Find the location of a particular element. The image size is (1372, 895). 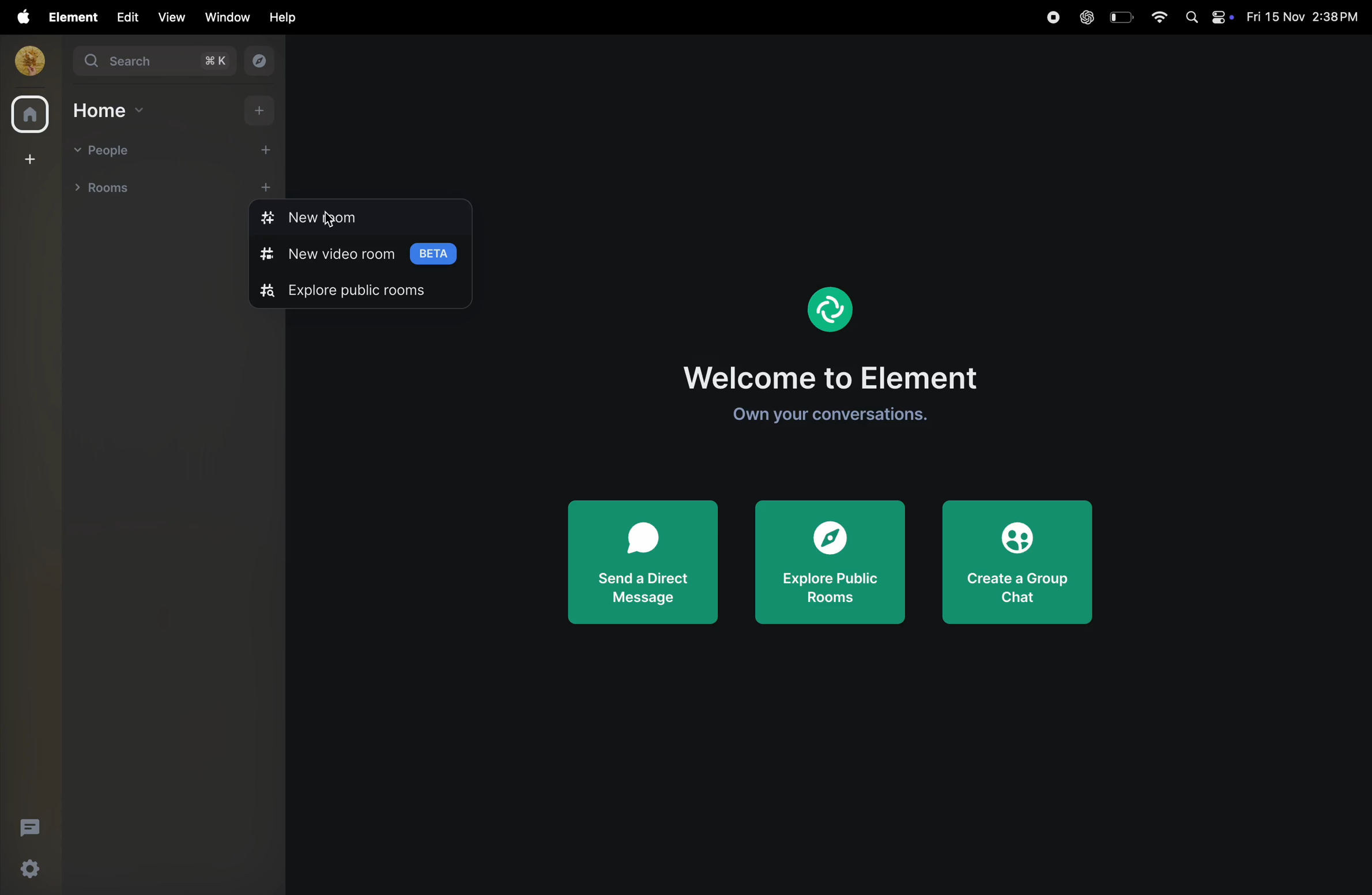

add home is located at coordinates (262, 110).